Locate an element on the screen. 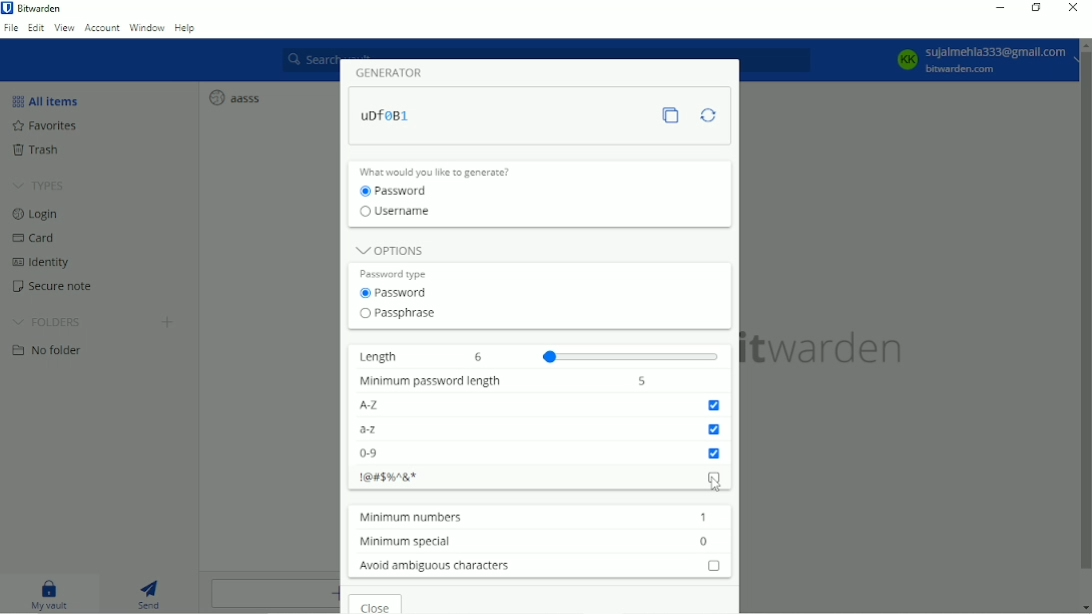 The image size is (1092, 614). passphrase radio button is located at coordinates (393, 316).